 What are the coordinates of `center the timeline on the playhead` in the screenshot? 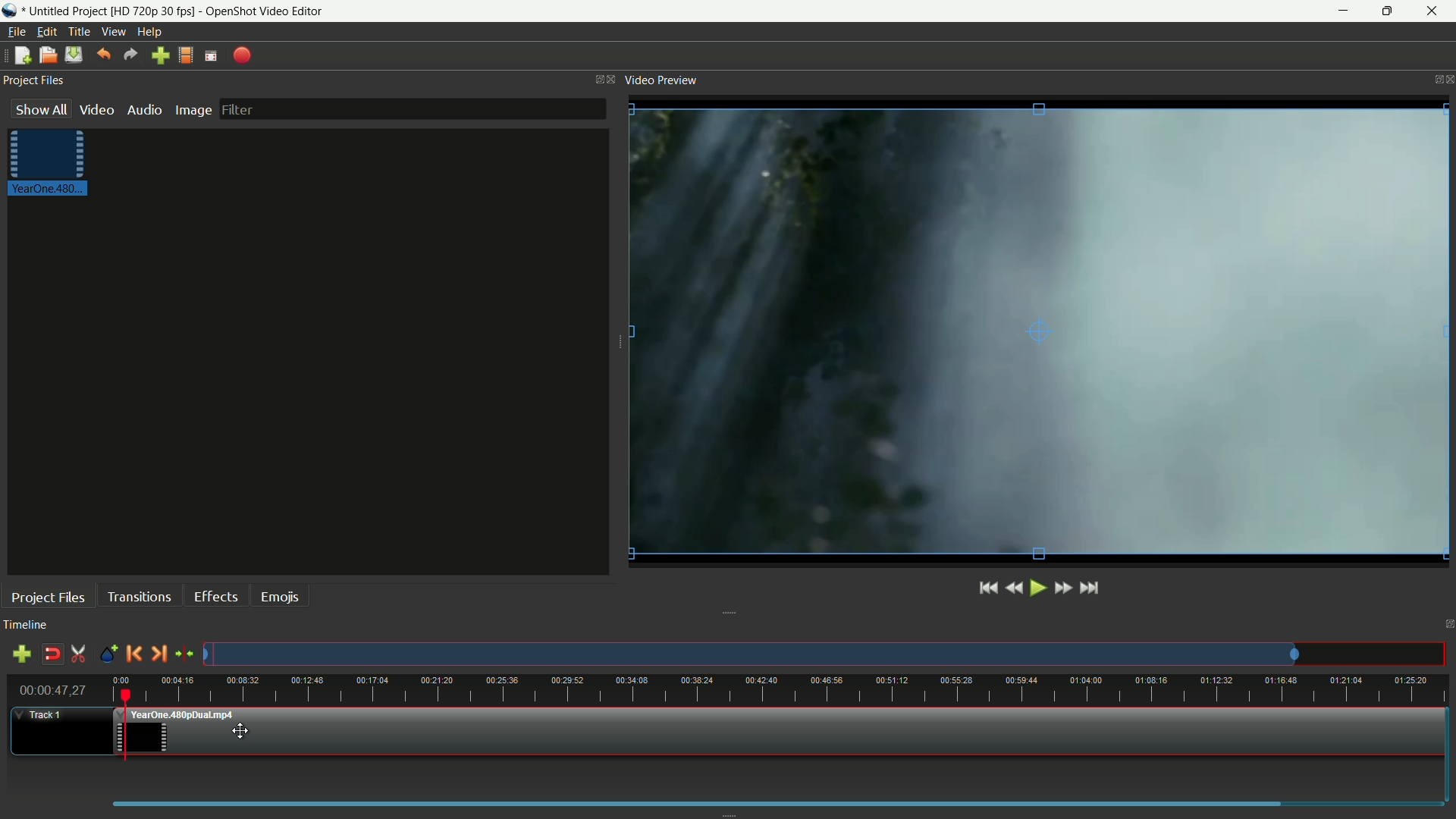 It's located at (184, 653).